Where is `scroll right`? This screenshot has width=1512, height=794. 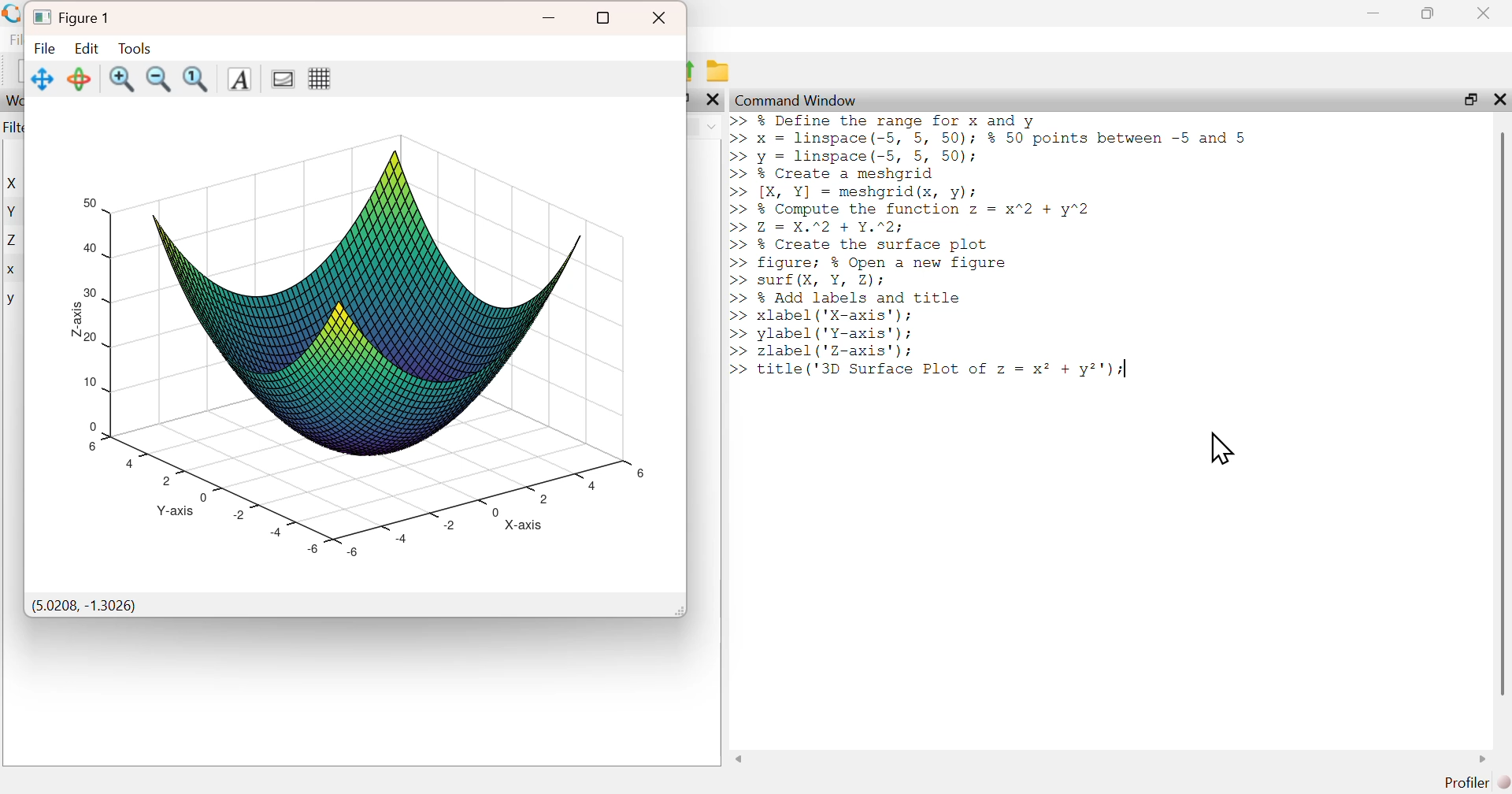
scroll right is located at coordinates (1484, 759).